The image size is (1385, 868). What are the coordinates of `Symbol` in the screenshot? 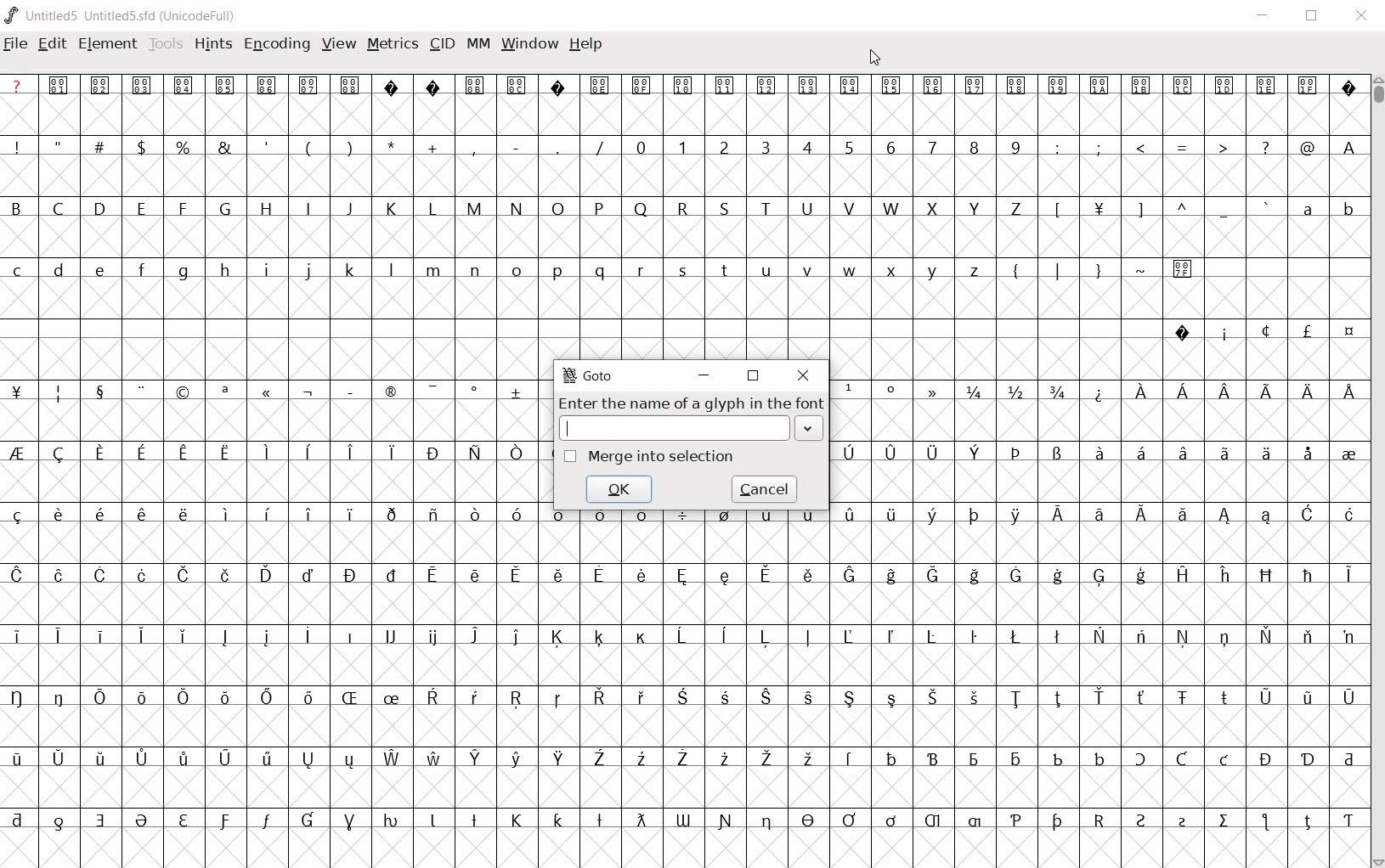 It's located at (20, 392).